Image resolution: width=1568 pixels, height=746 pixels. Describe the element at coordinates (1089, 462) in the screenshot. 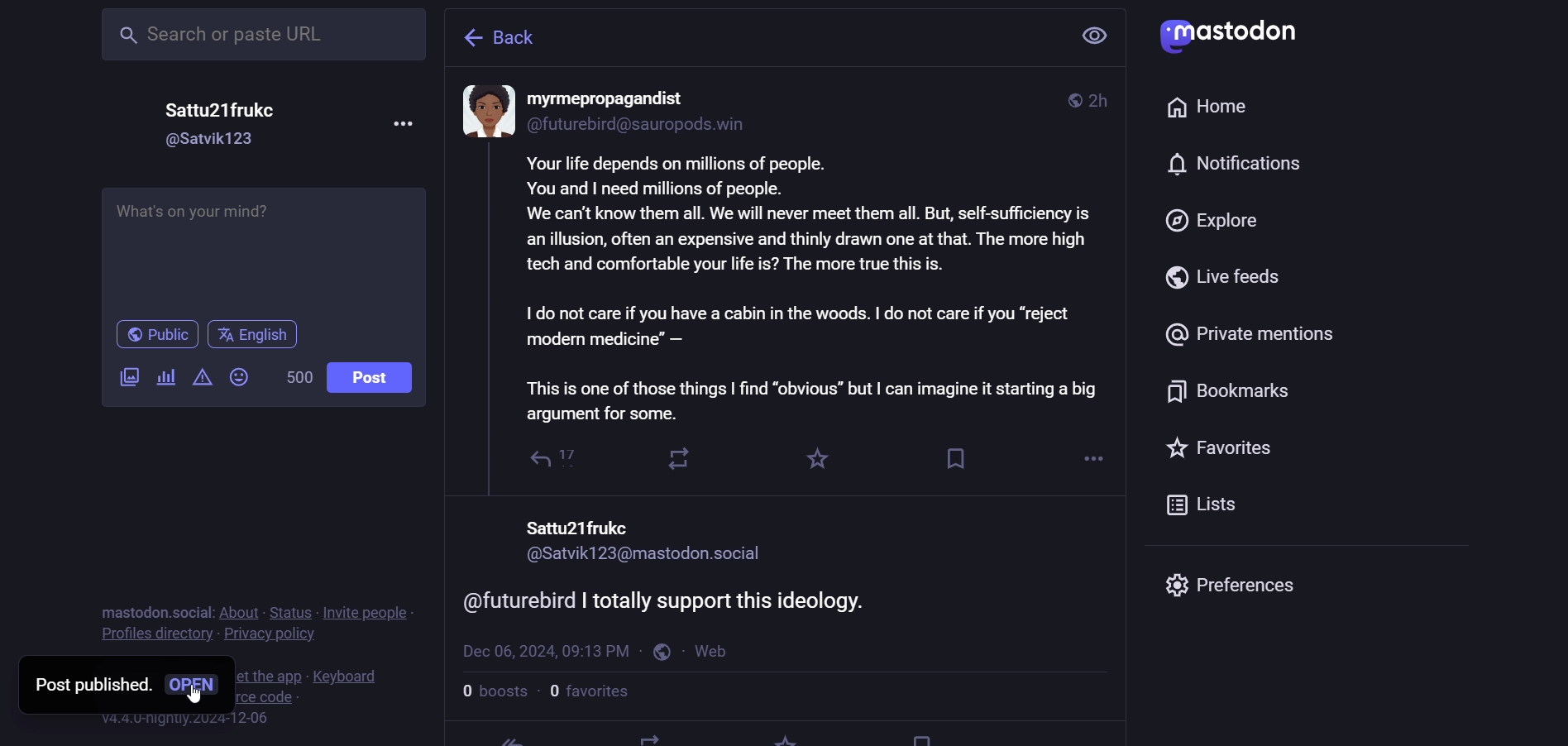

I see `more` at that location.